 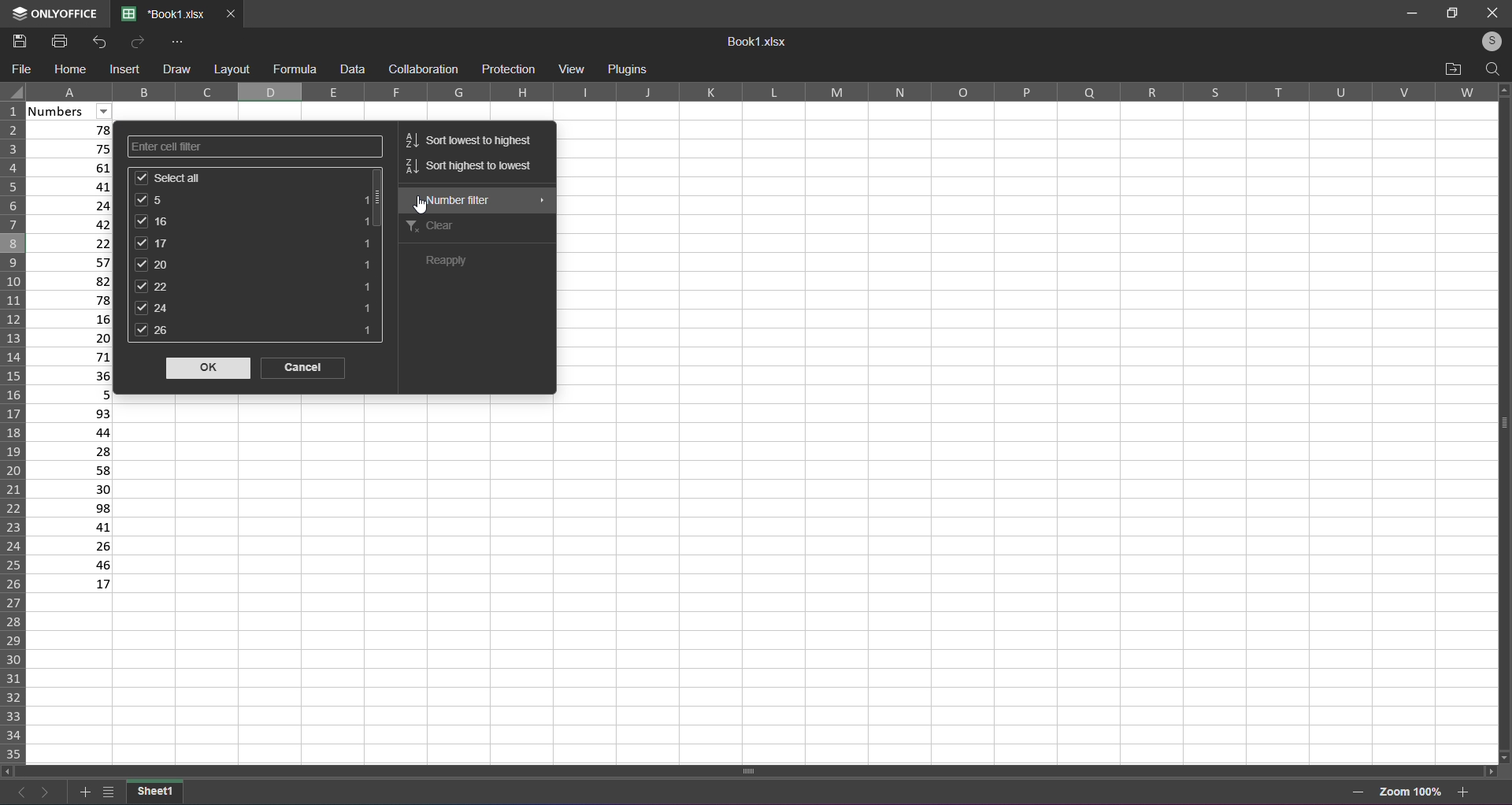 I want to click on 42, so click(x=76, y=224).